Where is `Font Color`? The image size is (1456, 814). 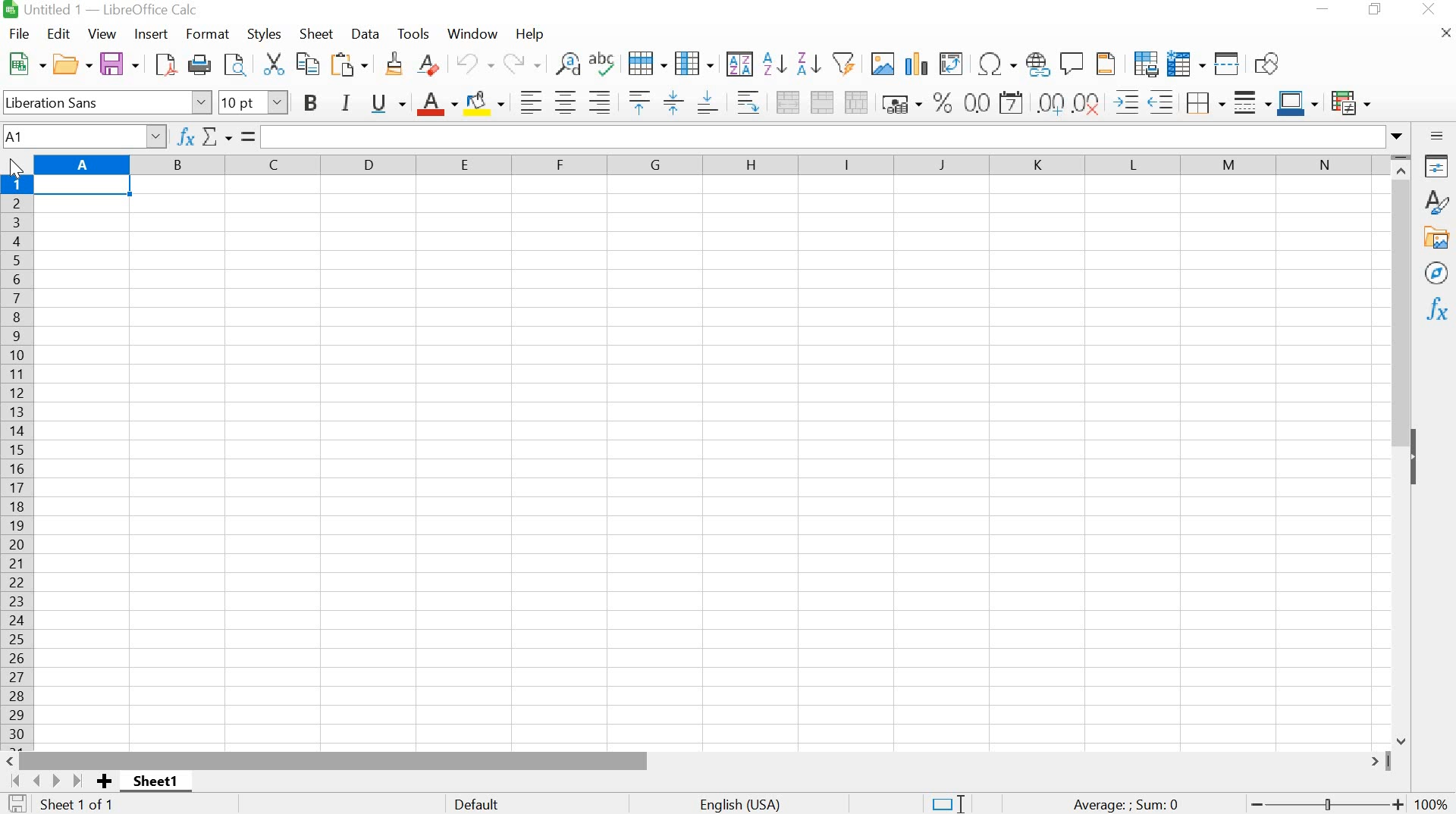 Font Color is located at coordinates (437, 104).